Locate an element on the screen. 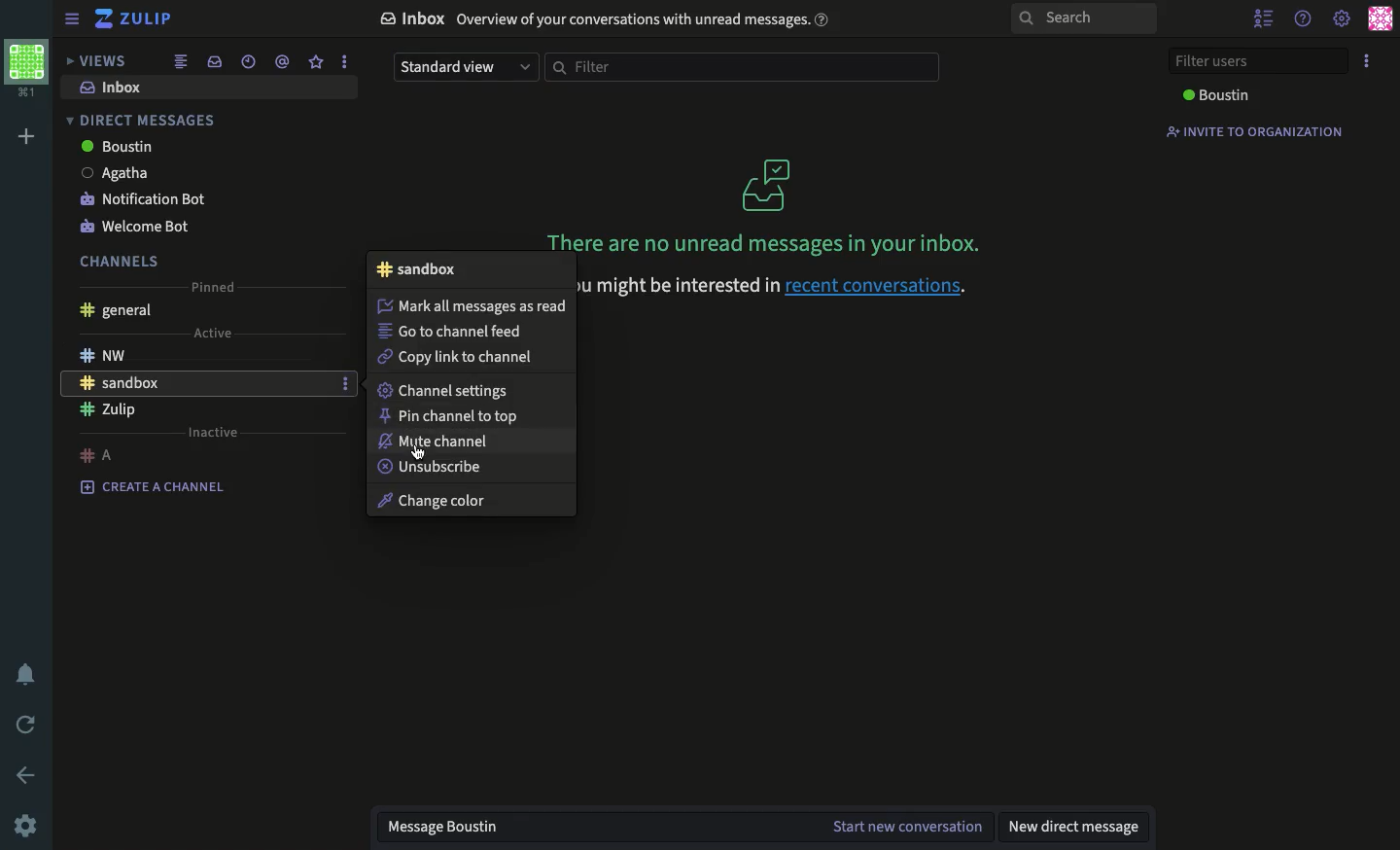  mention is located at coordinates (282, 61).